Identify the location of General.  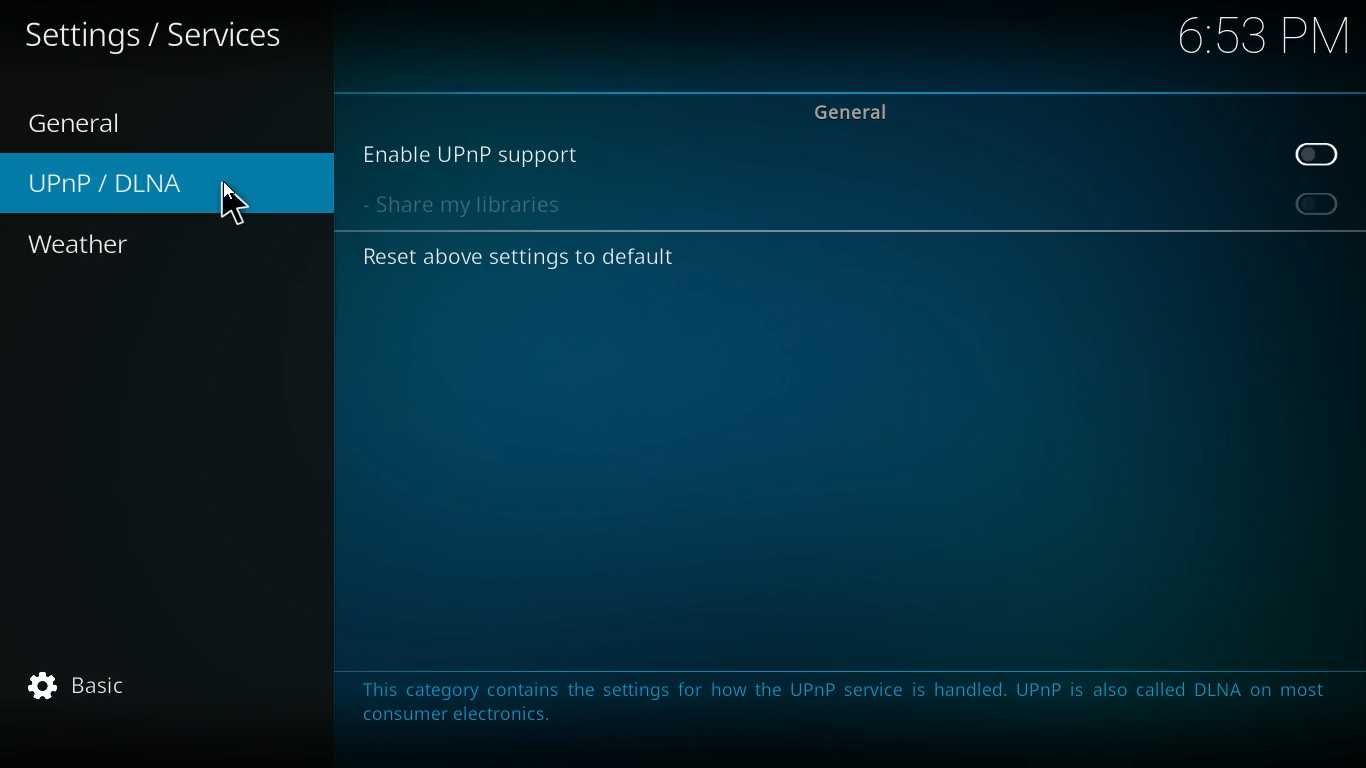
(854, 105).